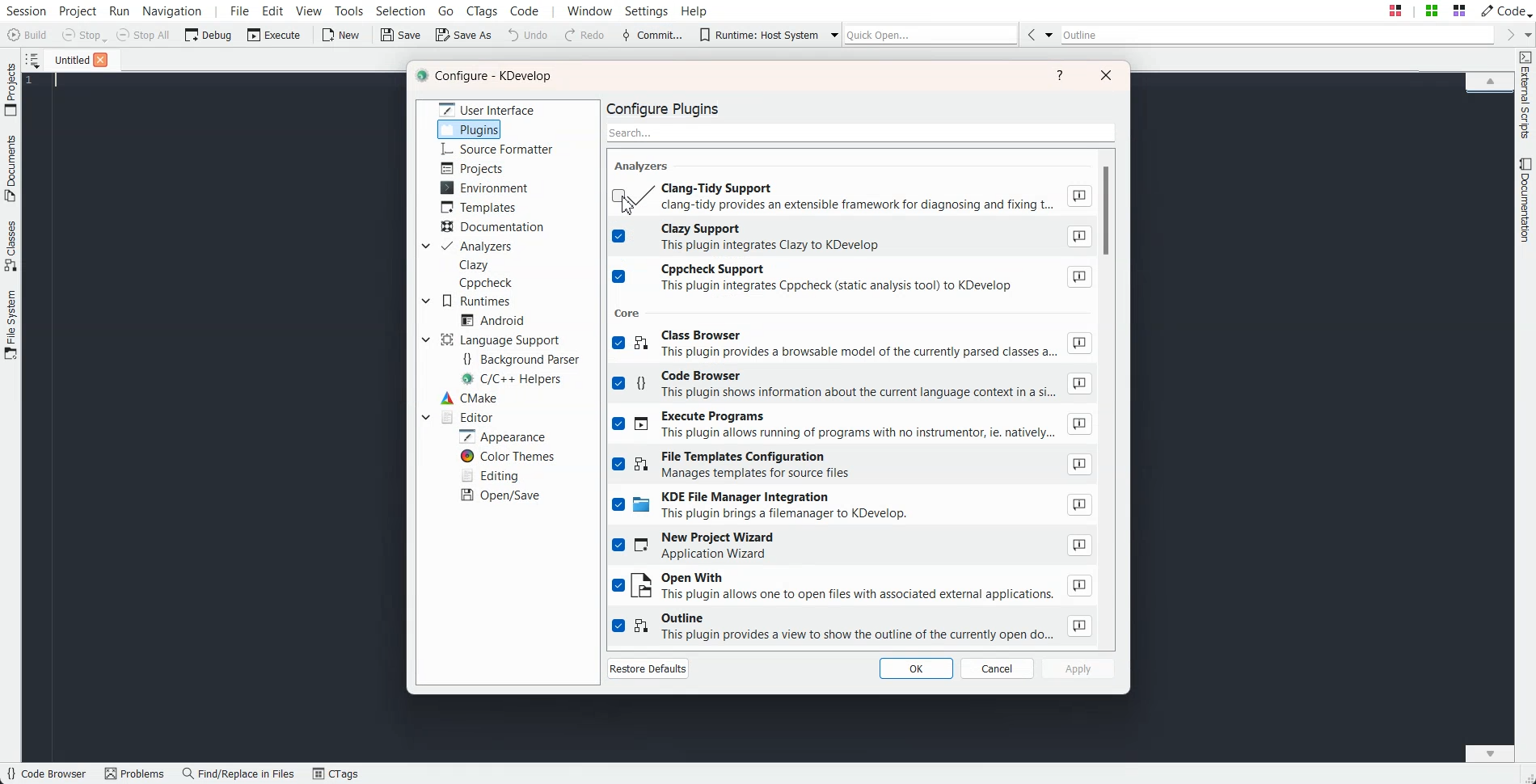  What do you see at coordinates (862, 131) in the screenshot?
I see `Search bar` at bounding box center [862, 131].